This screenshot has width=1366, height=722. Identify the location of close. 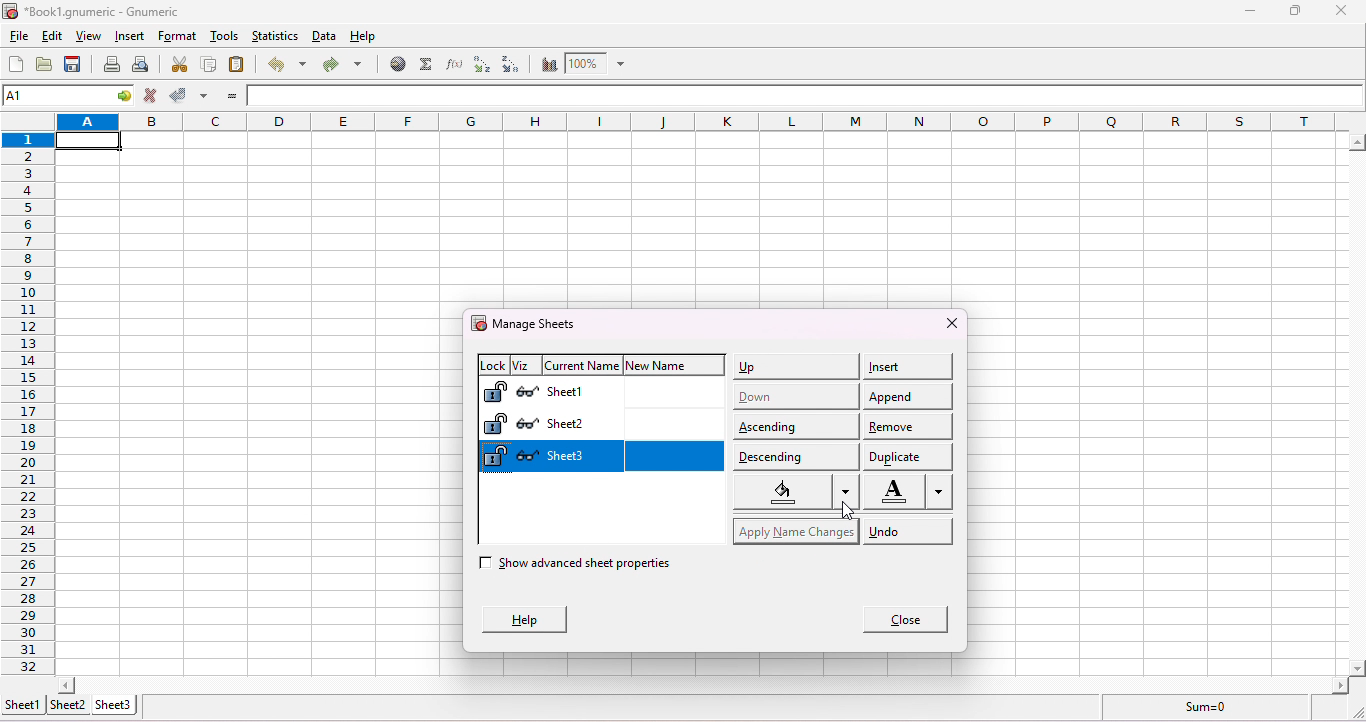
(934, 324).